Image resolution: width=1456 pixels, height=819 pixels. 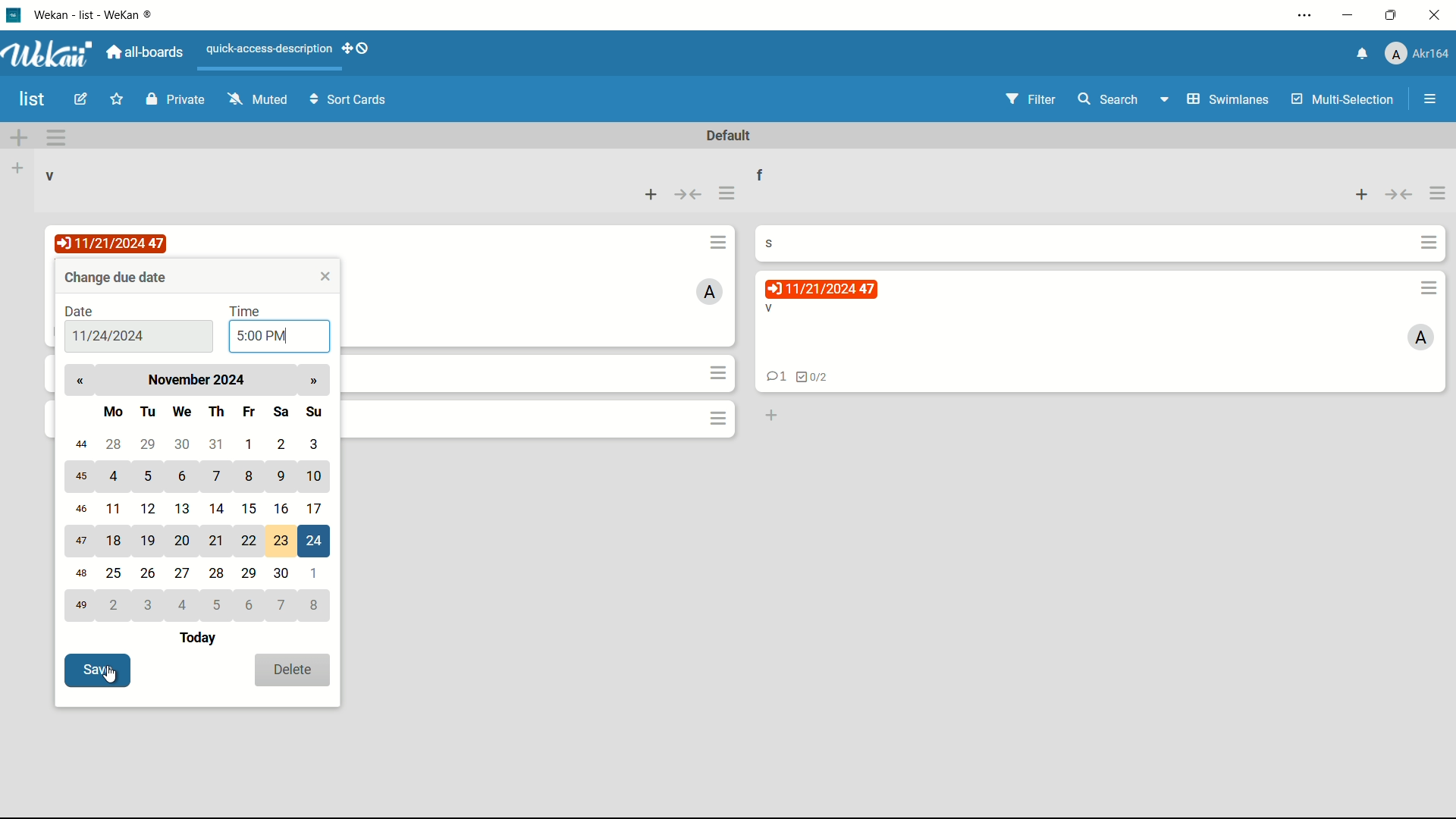 What do you see at coordinates (99, 13) in the screenshot?
I see `wekan - list - wekan` at bounding box center [99, 13].